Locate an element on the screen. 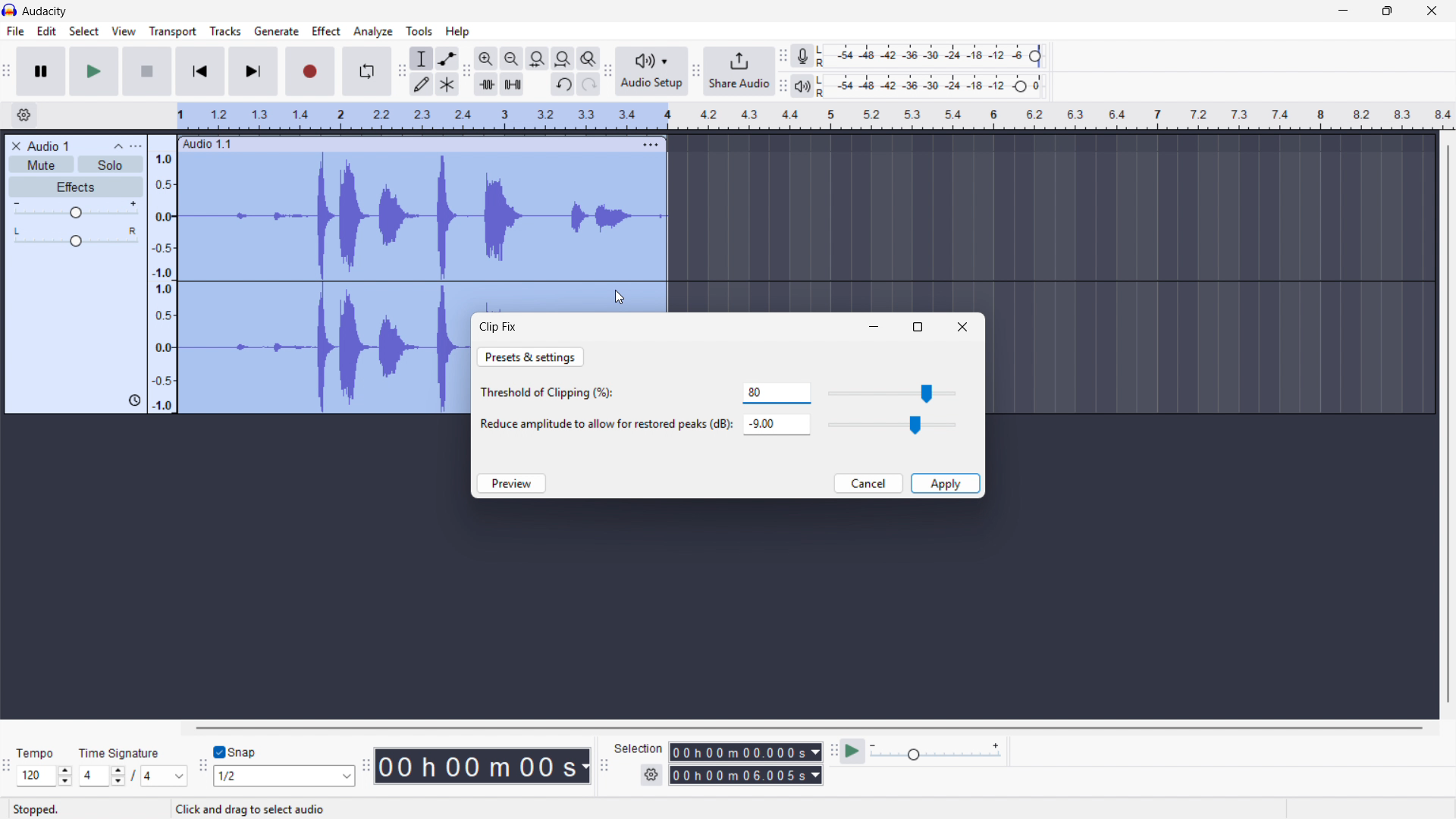  Vertical scrollbar is located at coordinates (1448, 424).